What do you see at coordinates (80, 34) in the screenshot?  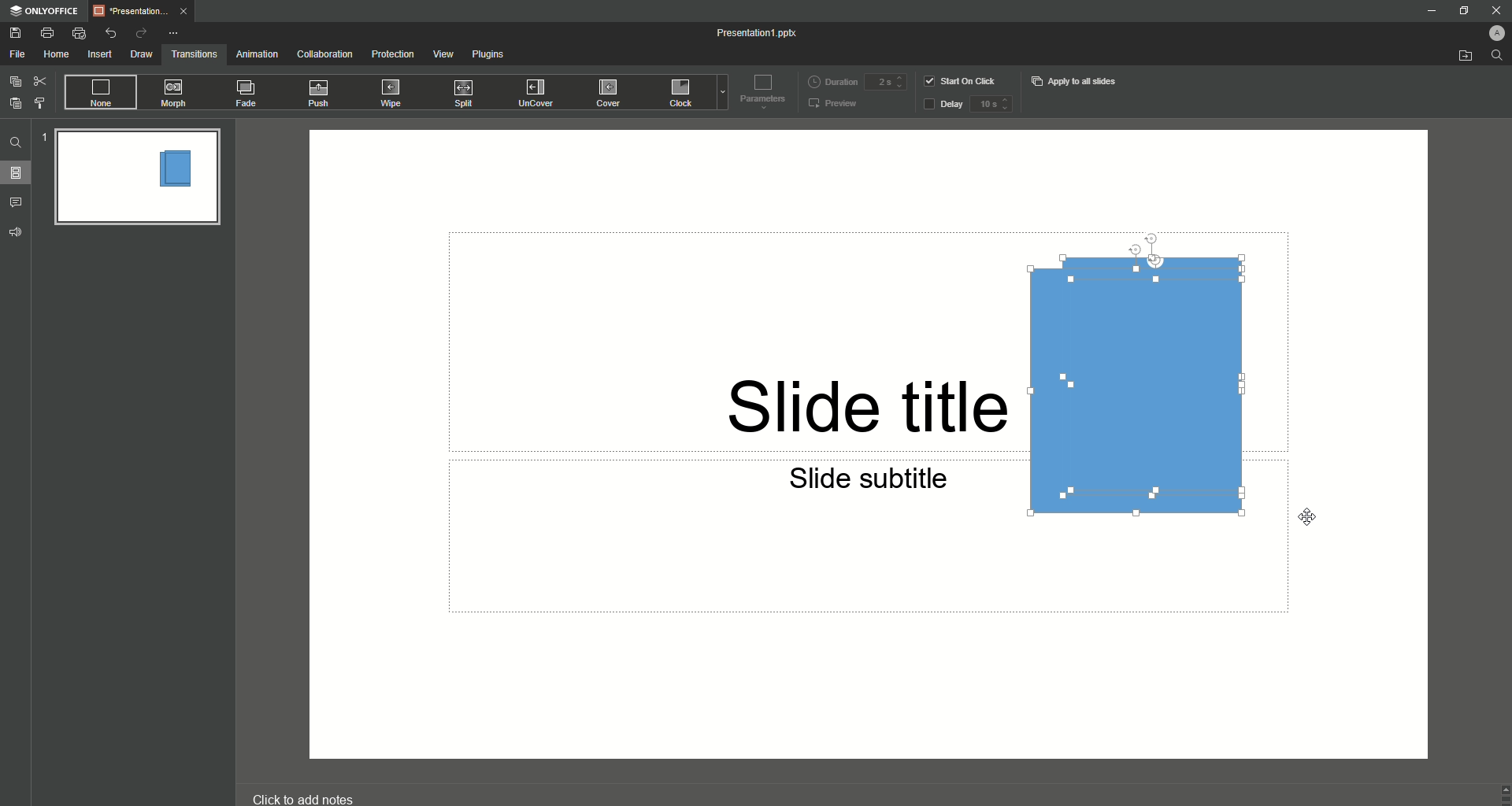 I see `Quick Print` at bounding box center [80, 34].